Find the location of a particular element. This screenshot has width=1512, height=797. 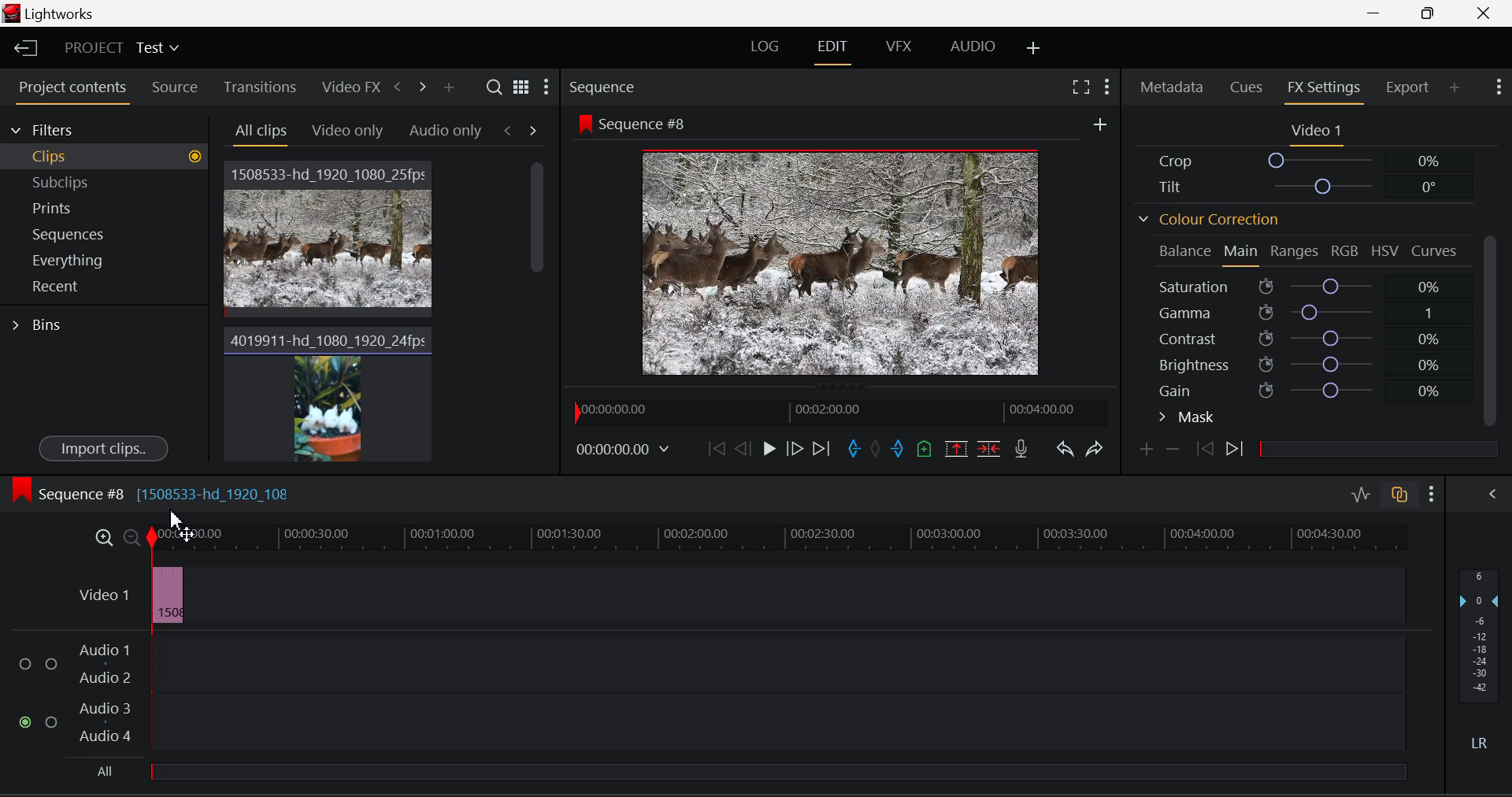

Audio 4 is located at coordinates (108, 737).